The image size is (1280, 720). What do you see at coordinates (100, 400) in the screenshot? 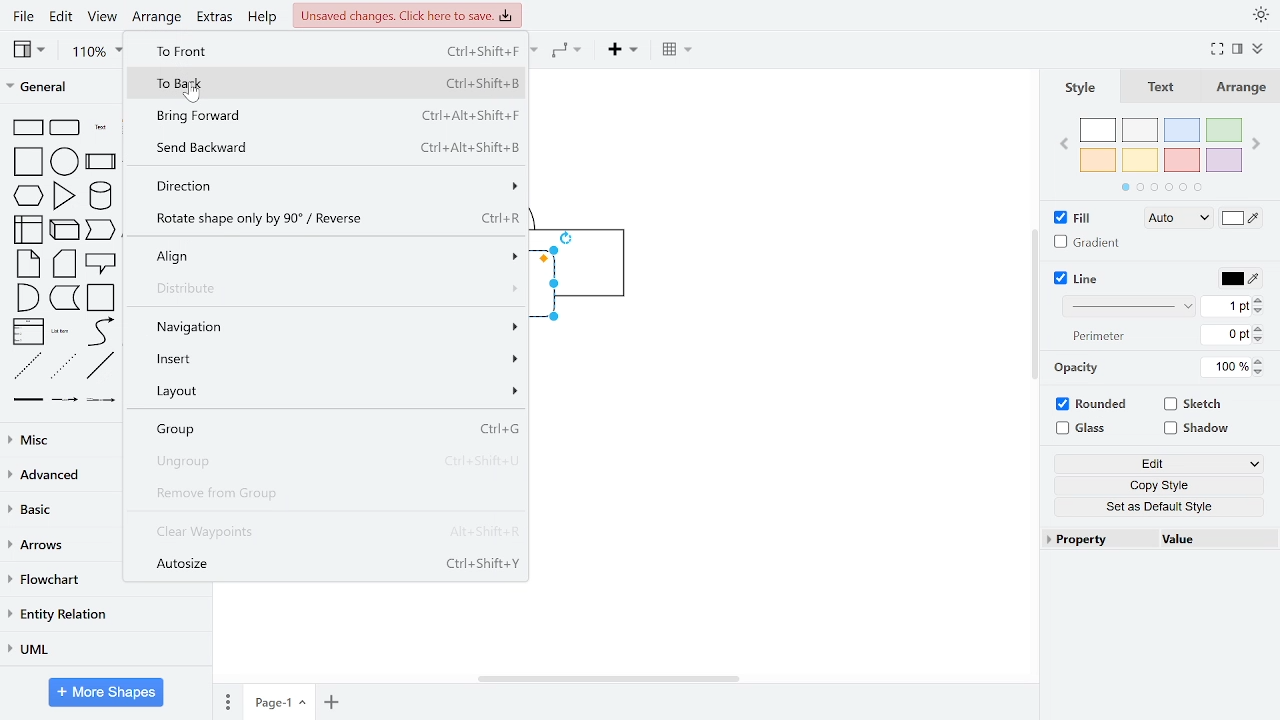
I see `connector with 2 label` at bounding box center [100, 400].